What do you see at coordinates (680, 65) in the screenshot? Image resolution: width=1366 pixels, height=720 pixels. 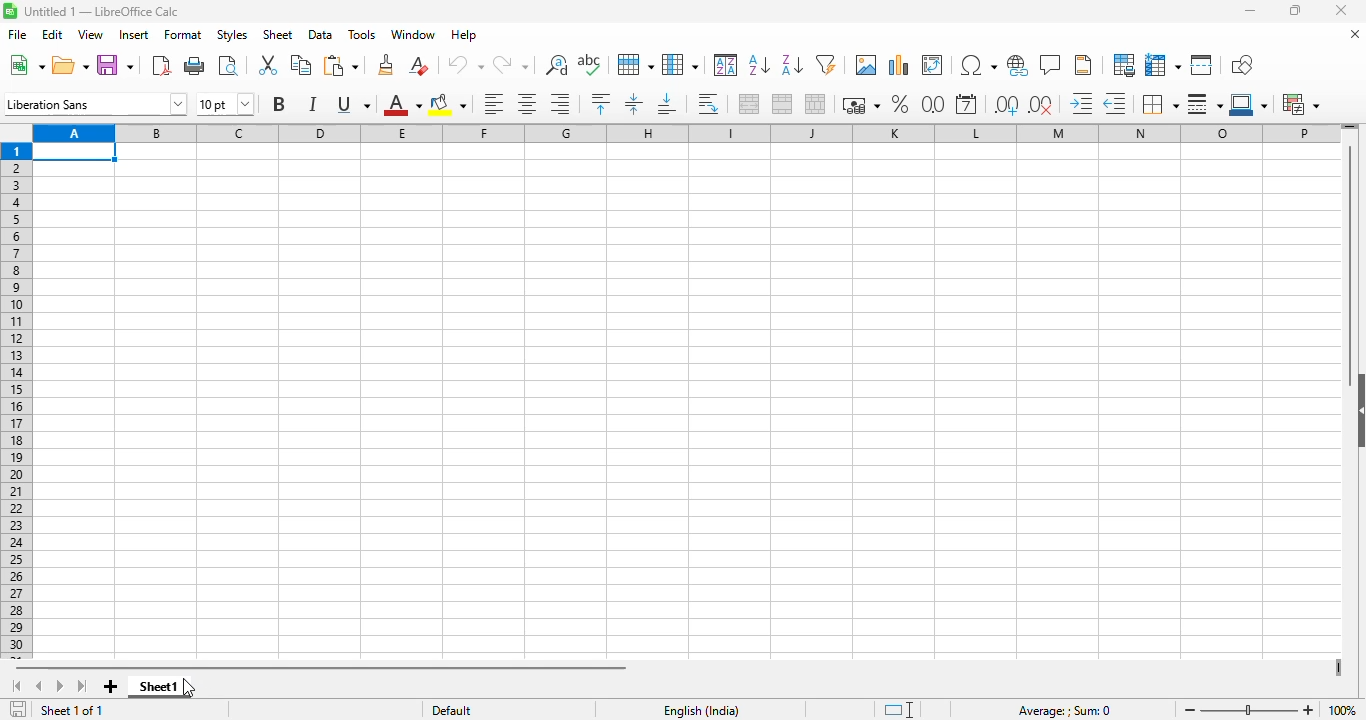 I see `column` at bounding box center [680, 65].